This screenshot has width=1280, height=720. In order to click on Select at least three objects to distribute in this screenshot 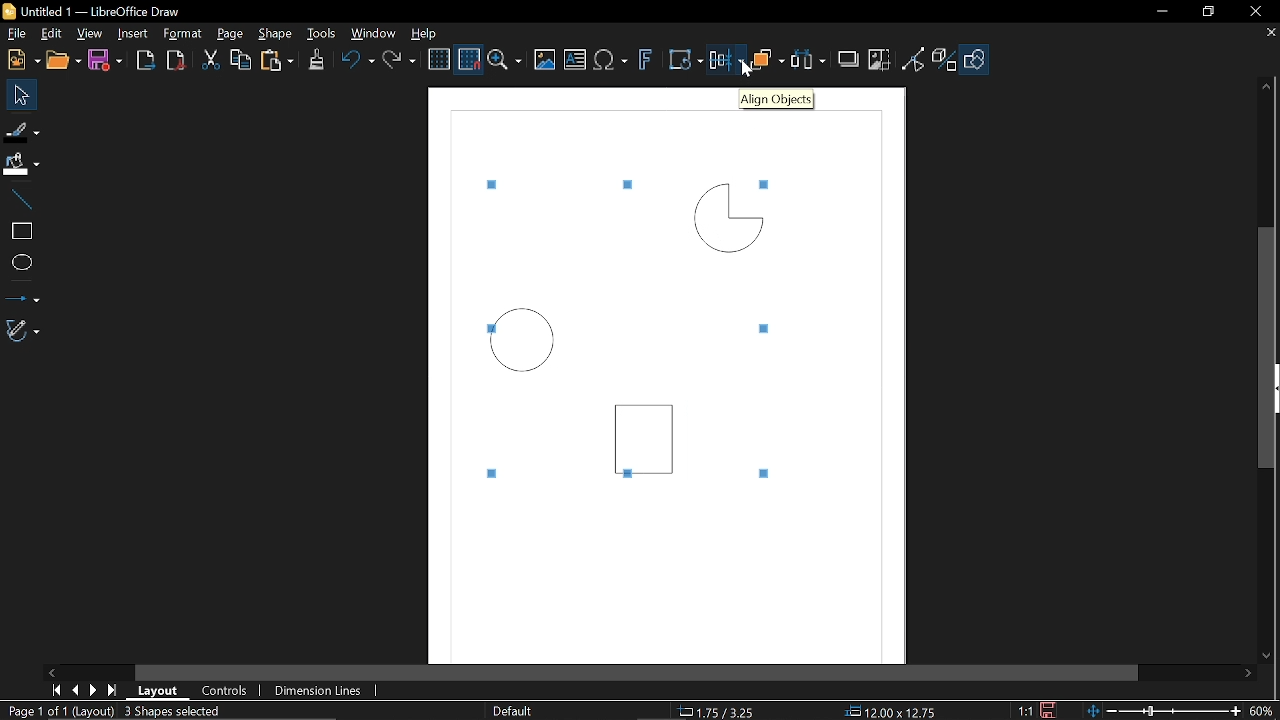, I will do `click(810, 60)`.